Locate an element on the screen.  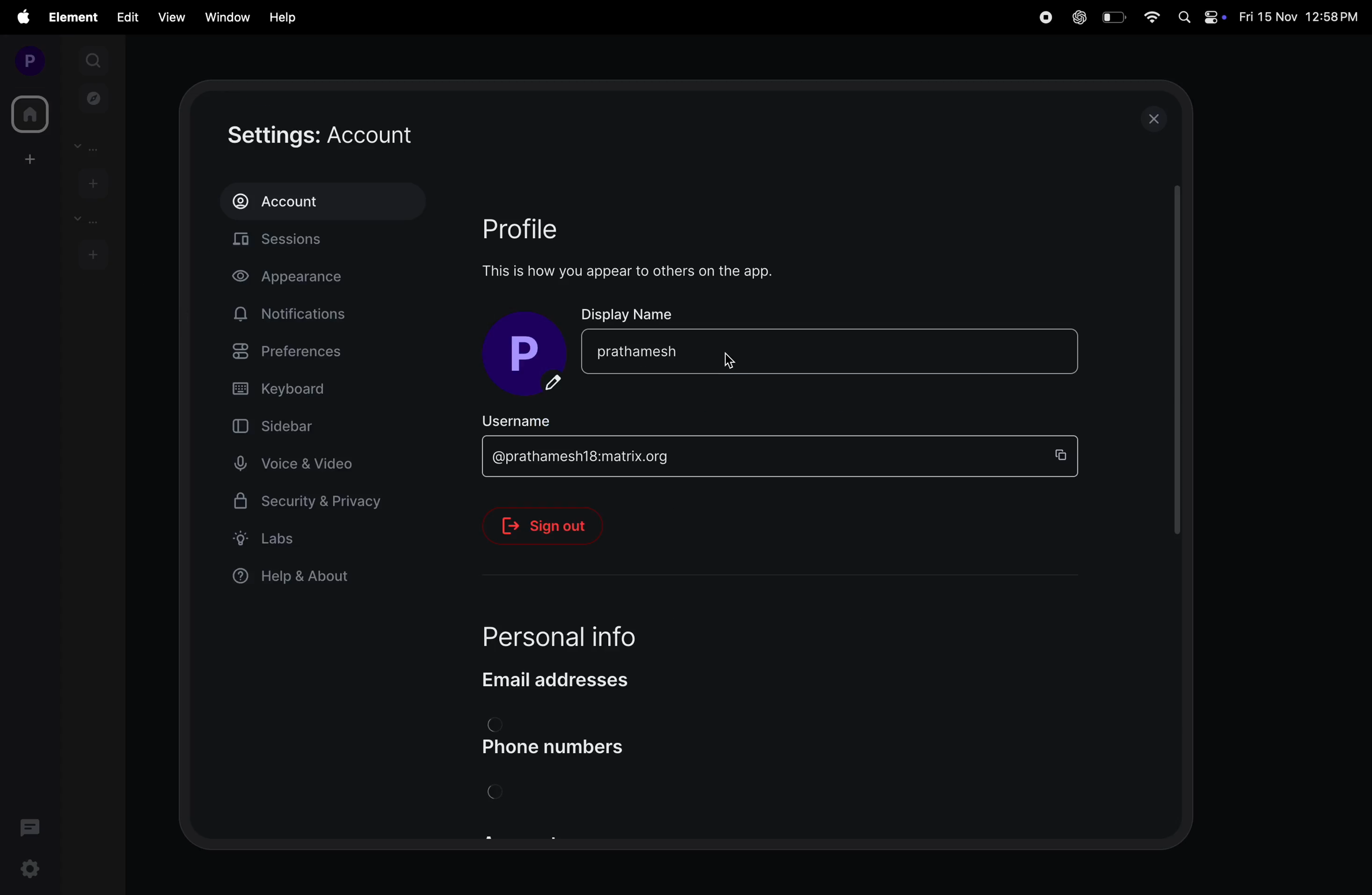
prefrences is located at coordinates (314, 354).